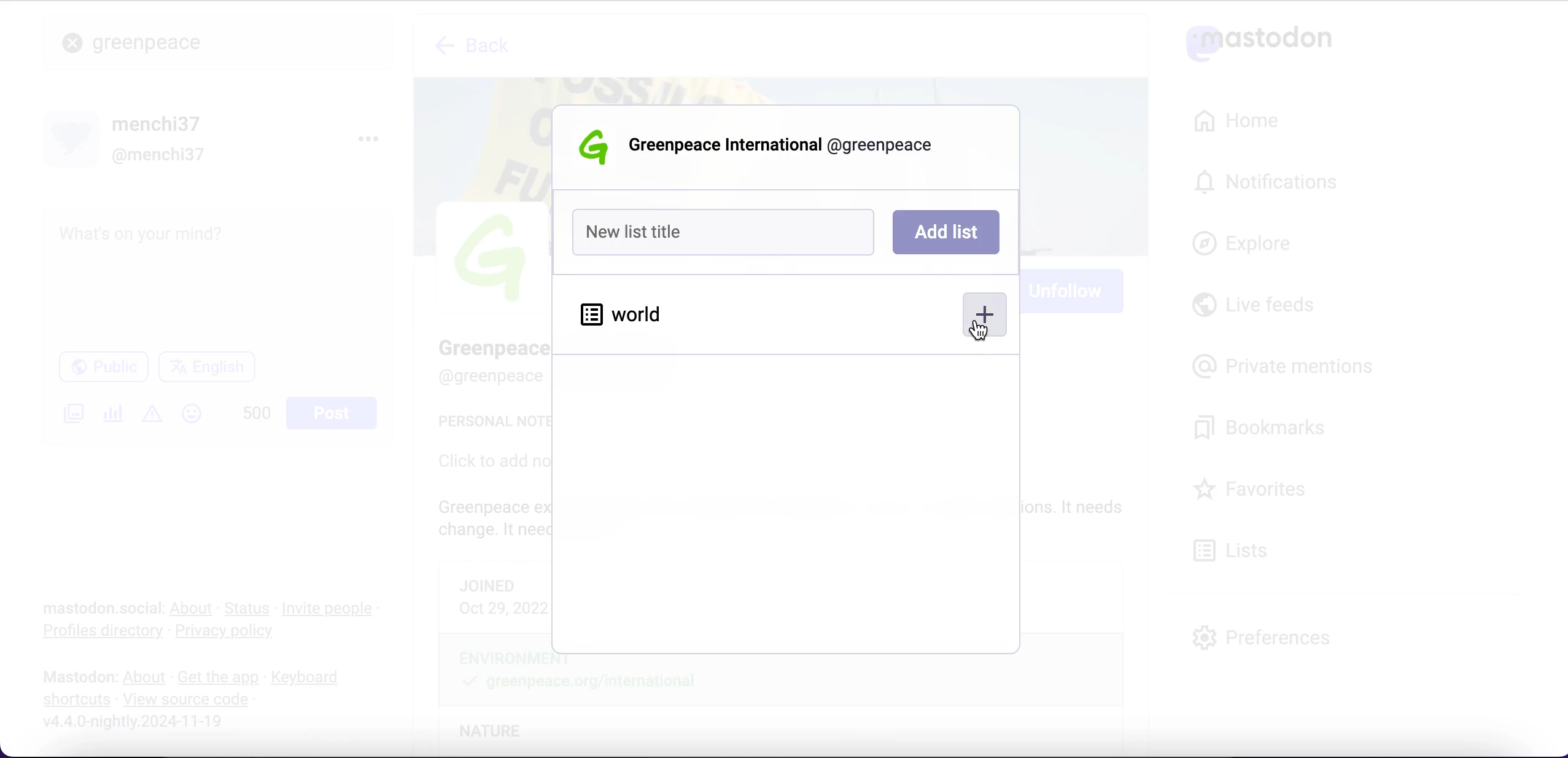 The image size is (1568, 758). What do you see at coordinates (95, 633) in the screenshot?
I see `profiles directory` at bounding box center [95, 633].